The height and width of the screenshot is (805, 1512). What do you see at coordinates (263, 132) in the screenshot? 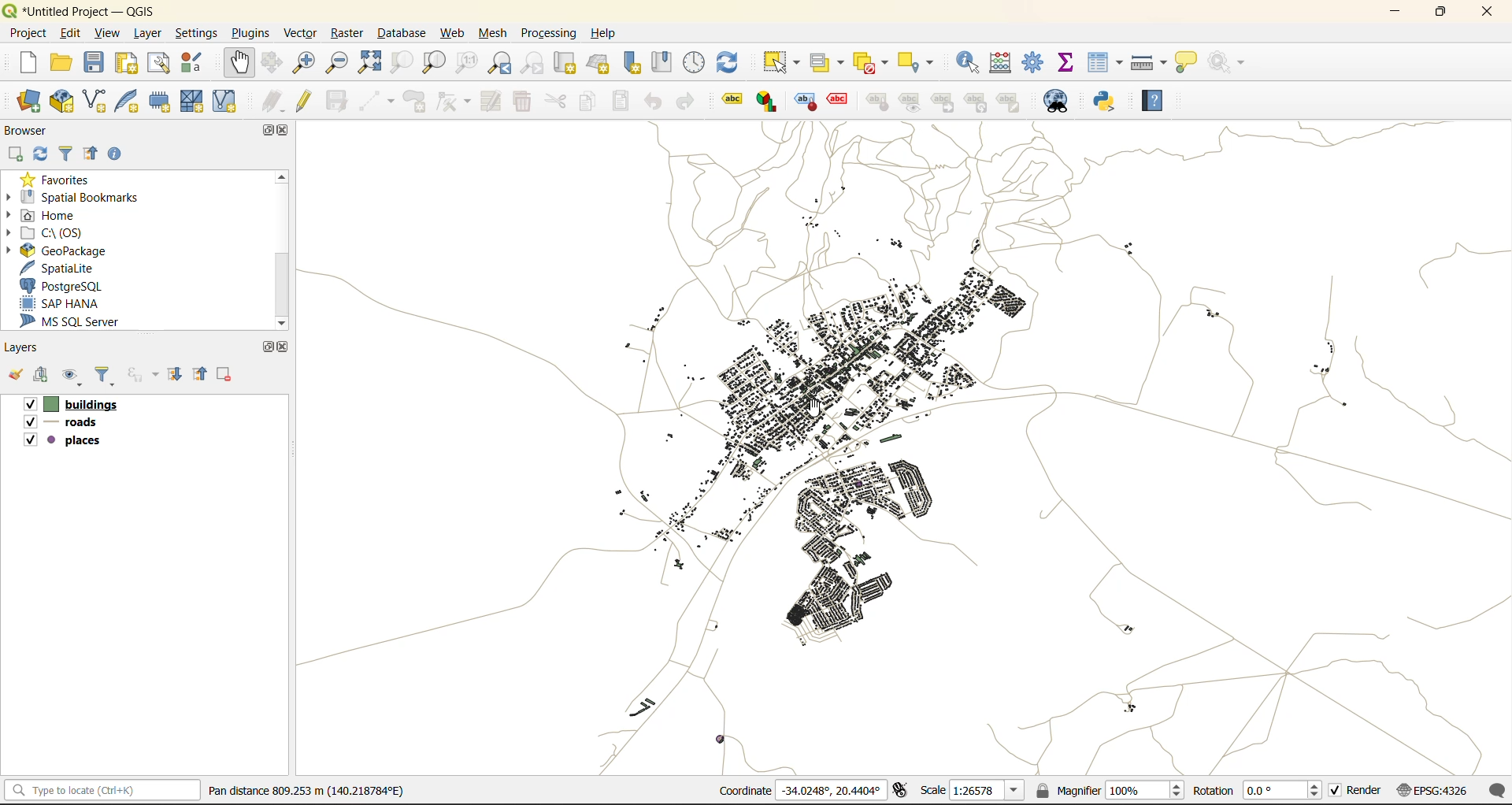
I see `maximize` at bounding box center [263, 132].